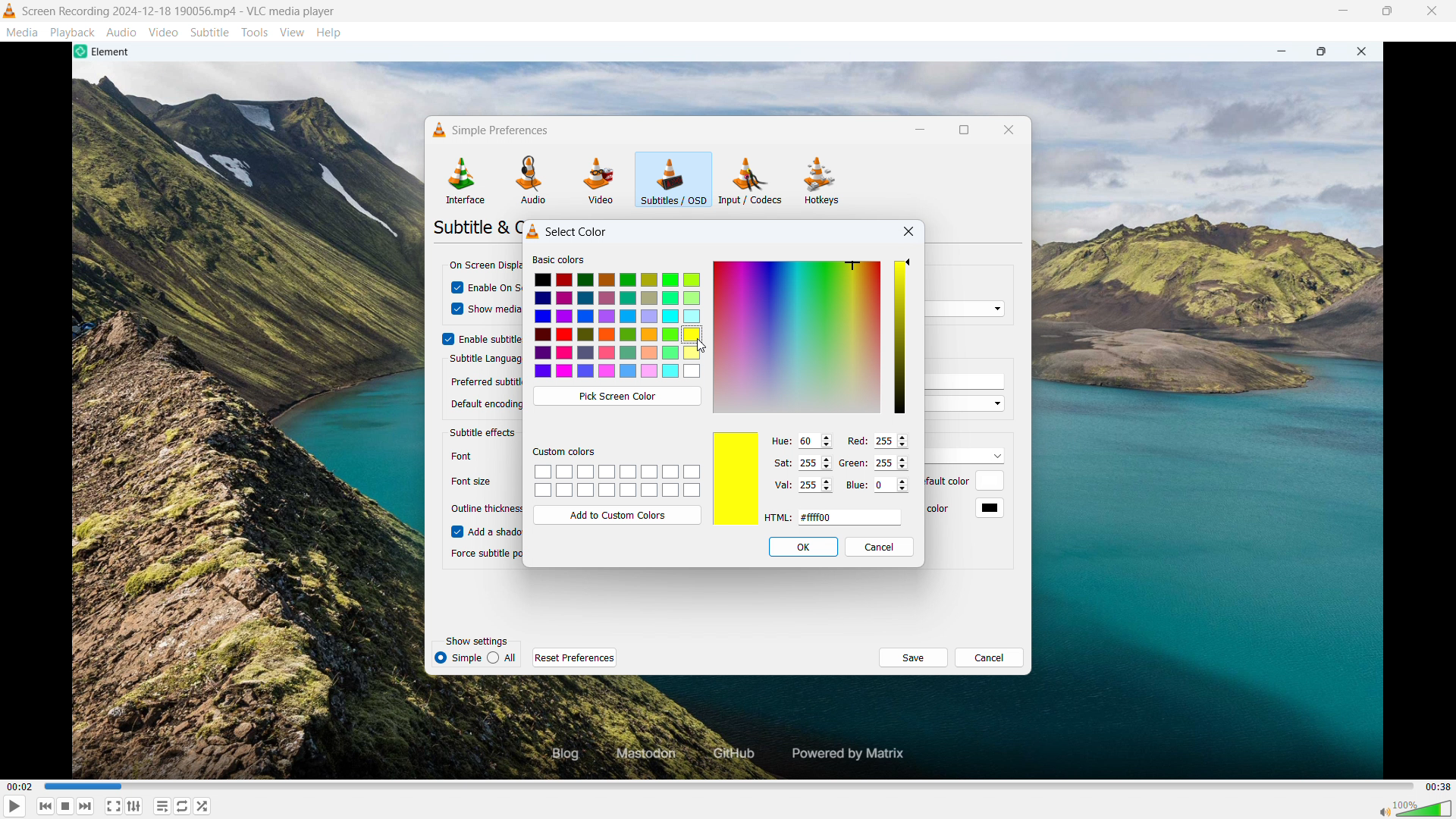 This screenshot has height=819, width=1456. Describe the element at coordinates (203, 806) in the screenshot. I see `random ` at that location.